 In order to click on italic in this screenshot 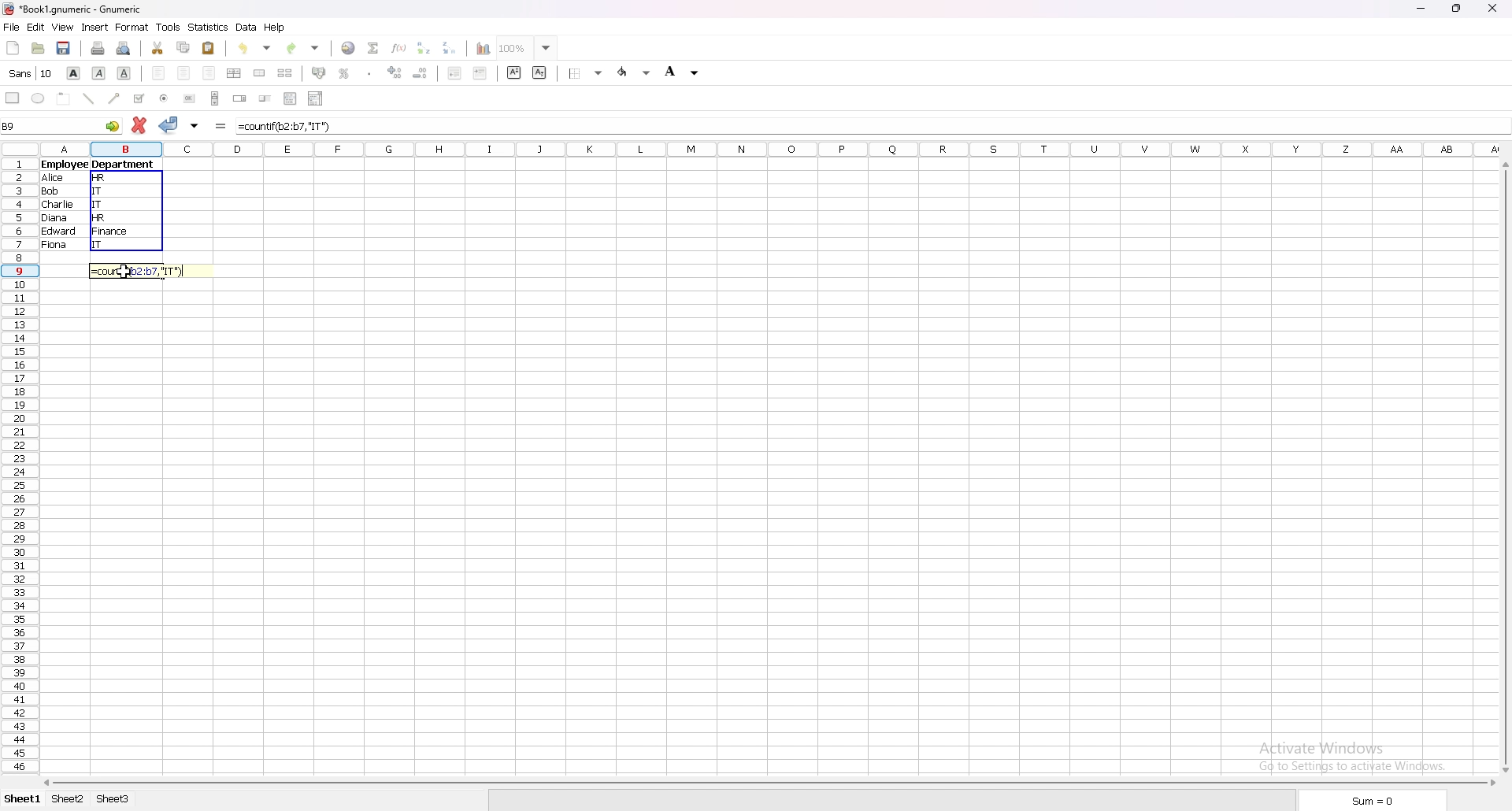, I will do `click(99, 72)`.